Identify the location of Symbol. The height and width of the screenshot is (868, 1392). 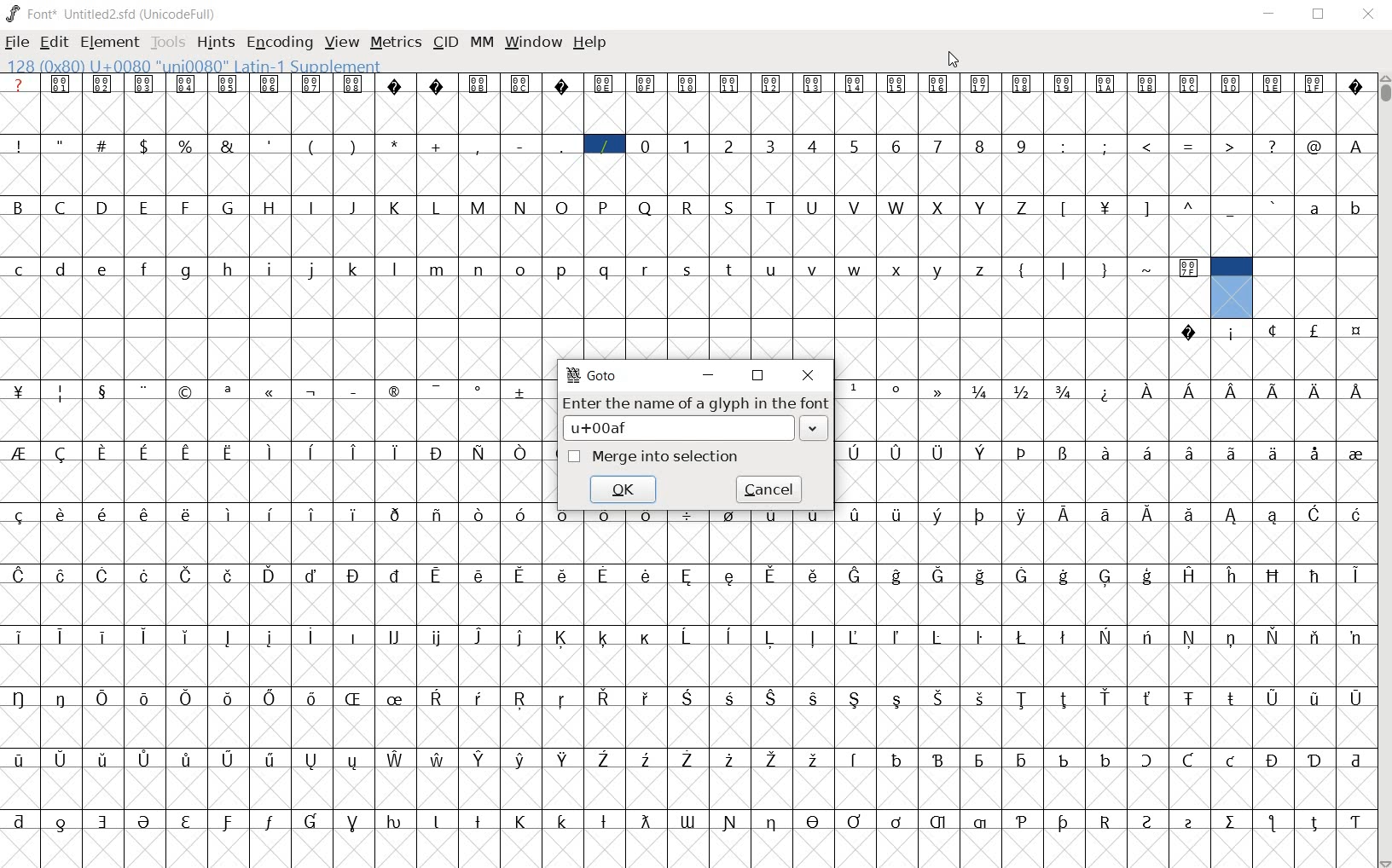
(1147, 451).